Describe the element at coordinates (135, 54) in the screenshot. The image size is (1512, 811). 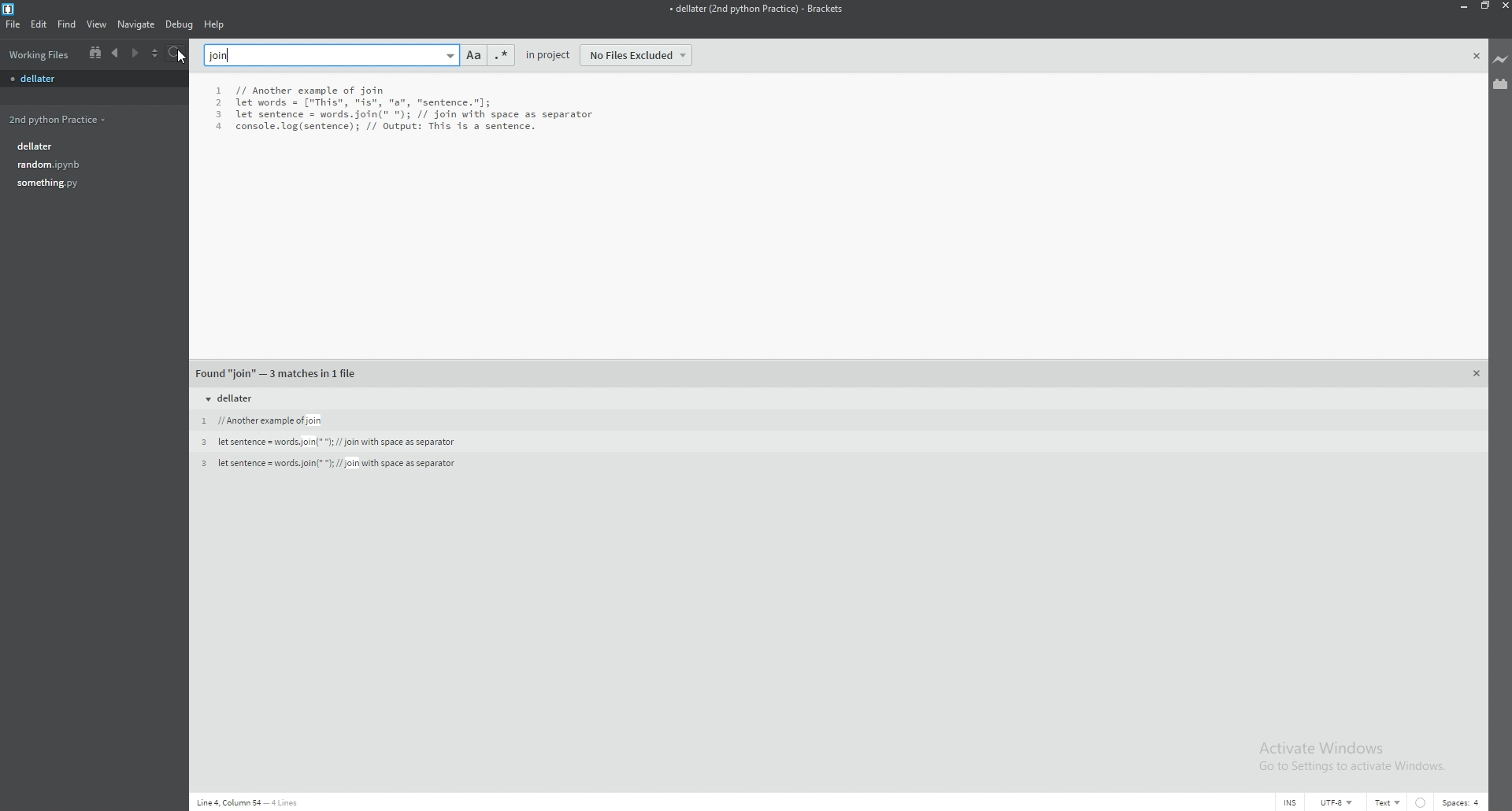
I see `next` at that location.